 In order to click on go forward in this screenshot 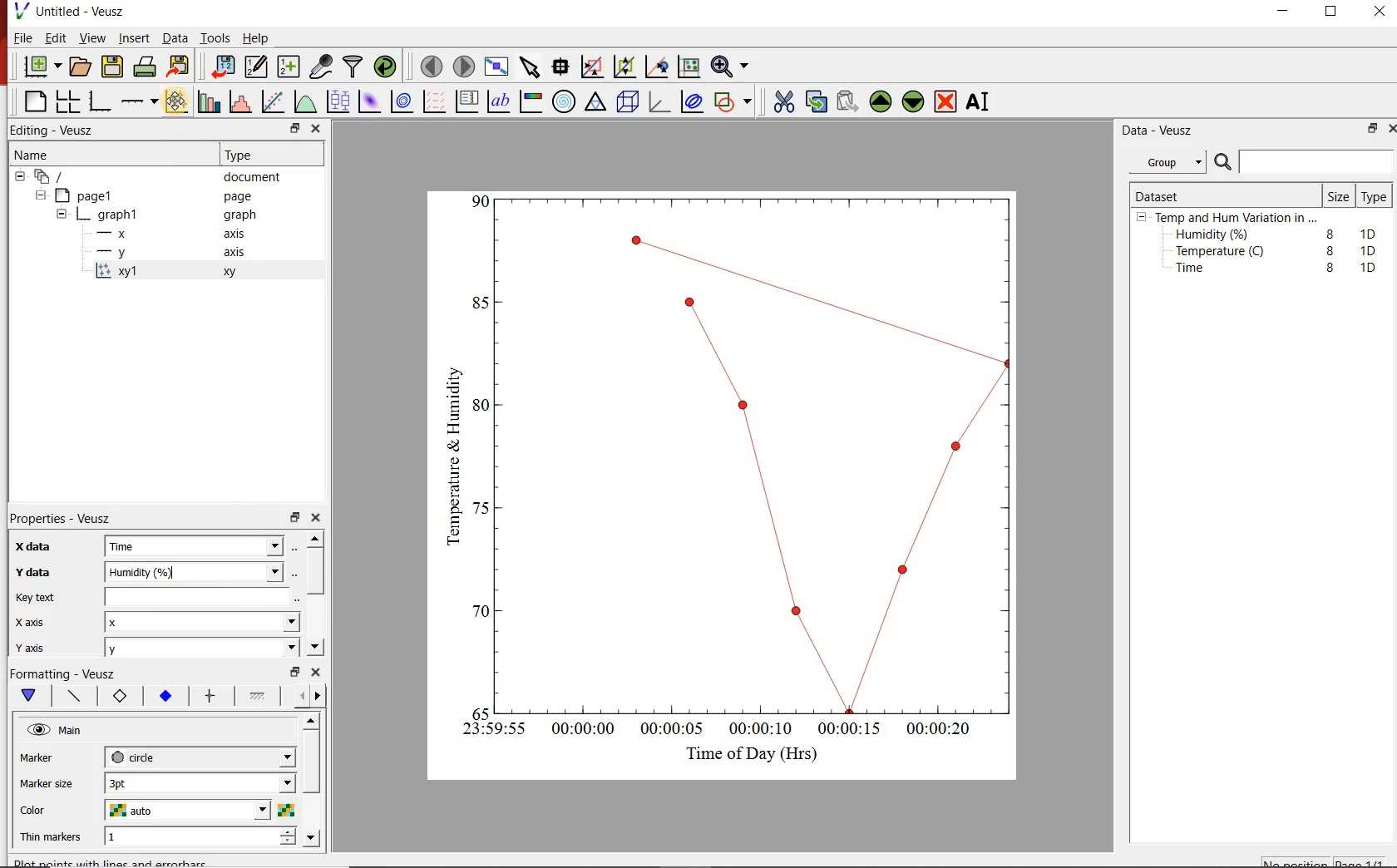, I will do `click(321, 696)`.